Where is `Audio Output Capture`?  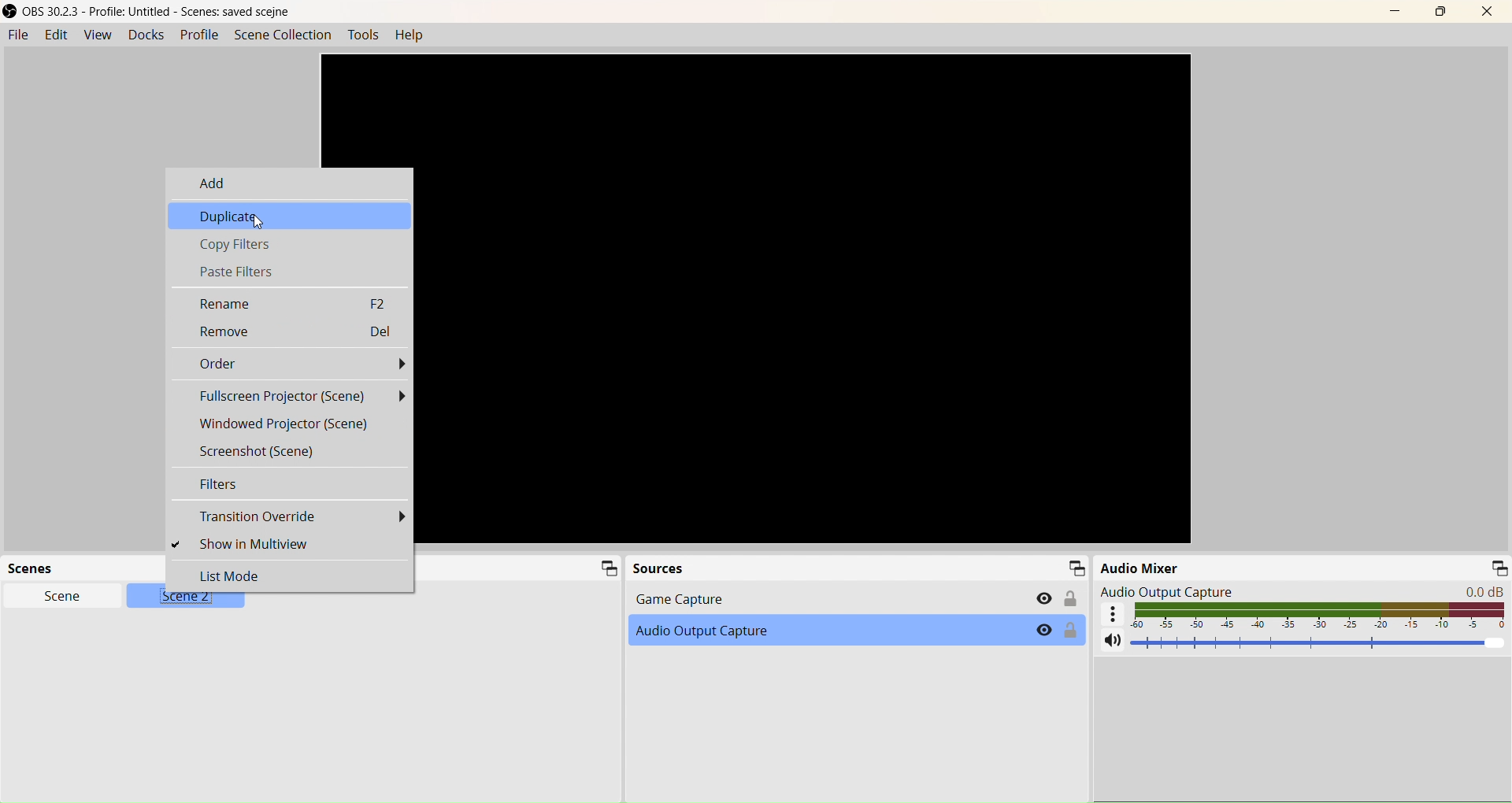
Audio Output Capture is located at coordinates (855, 629).